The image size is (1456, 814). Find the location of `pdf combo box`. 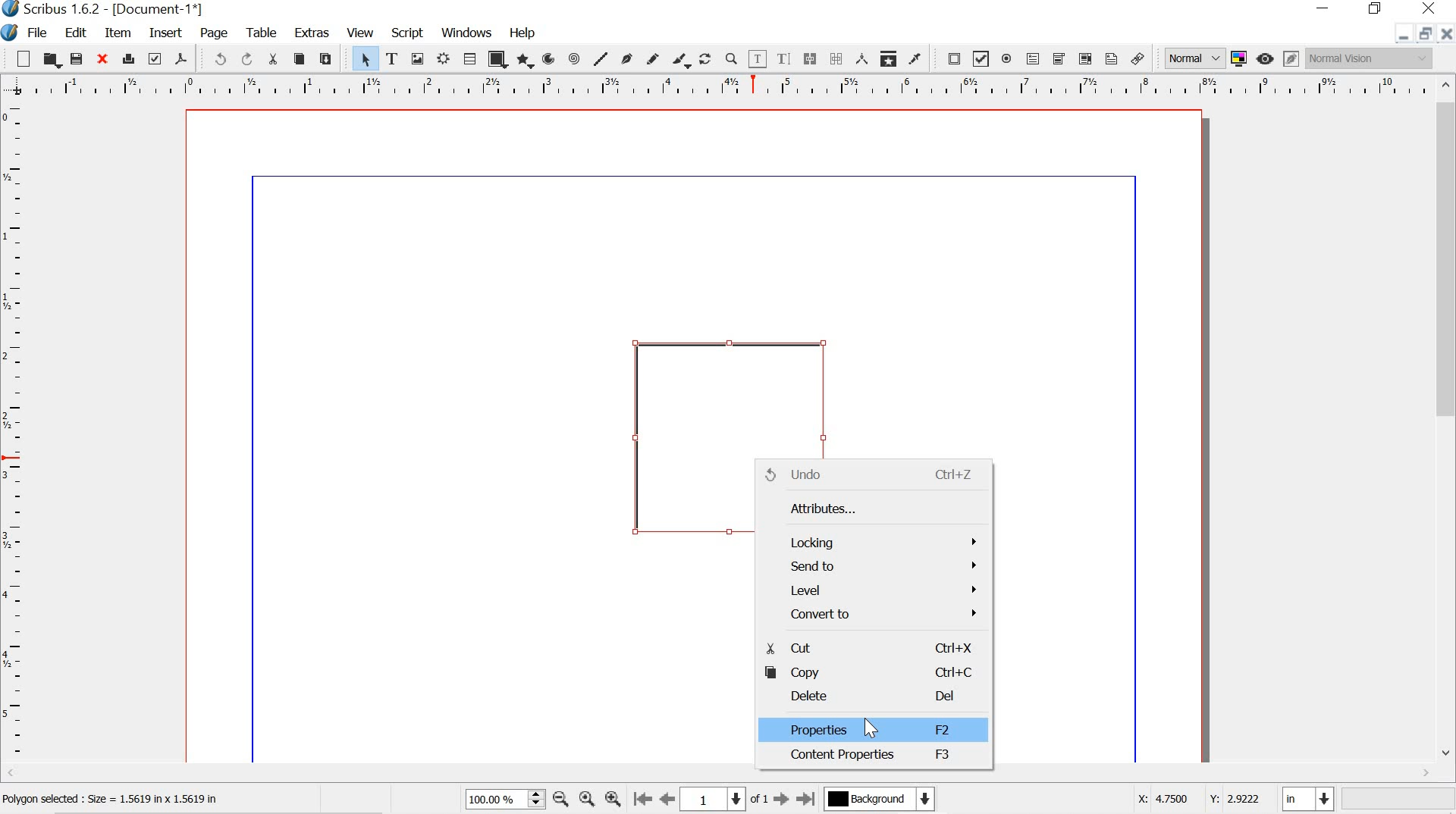

pdf combo box is located at coordinates (1059, 58).